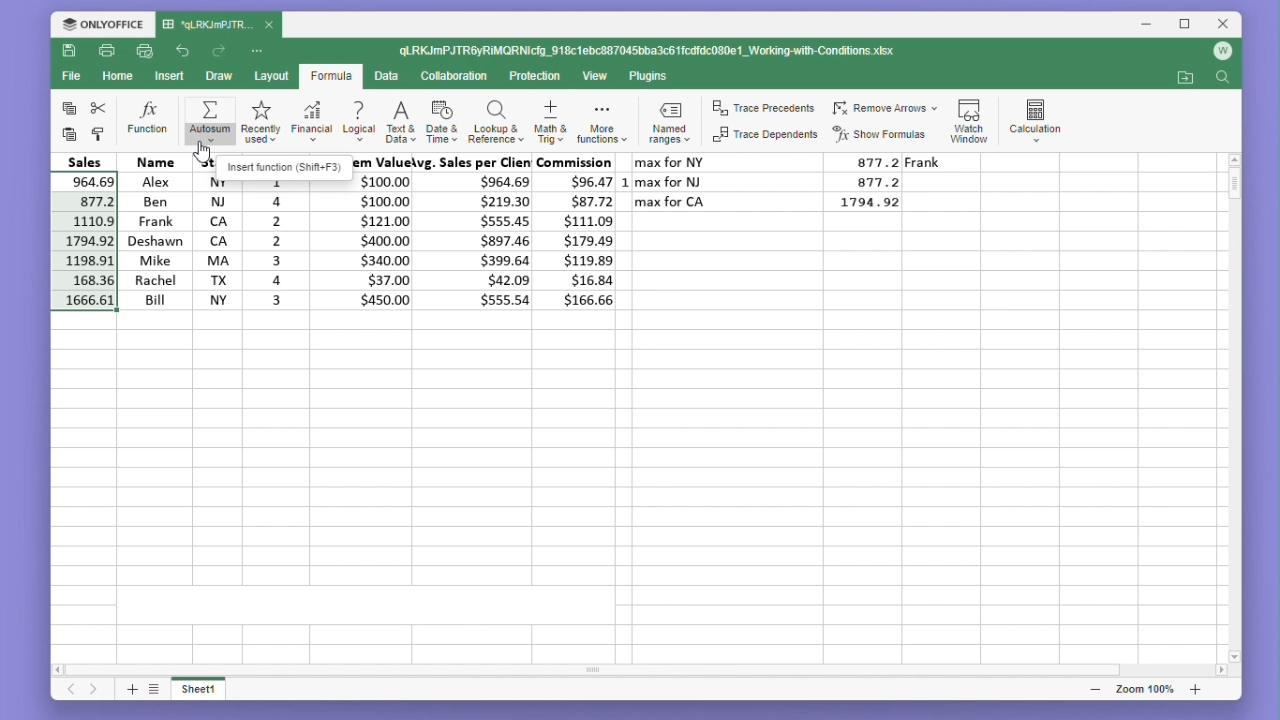 This screenshot has width=1280, height=720. I want to click on scroll right, so click(1222, 671).